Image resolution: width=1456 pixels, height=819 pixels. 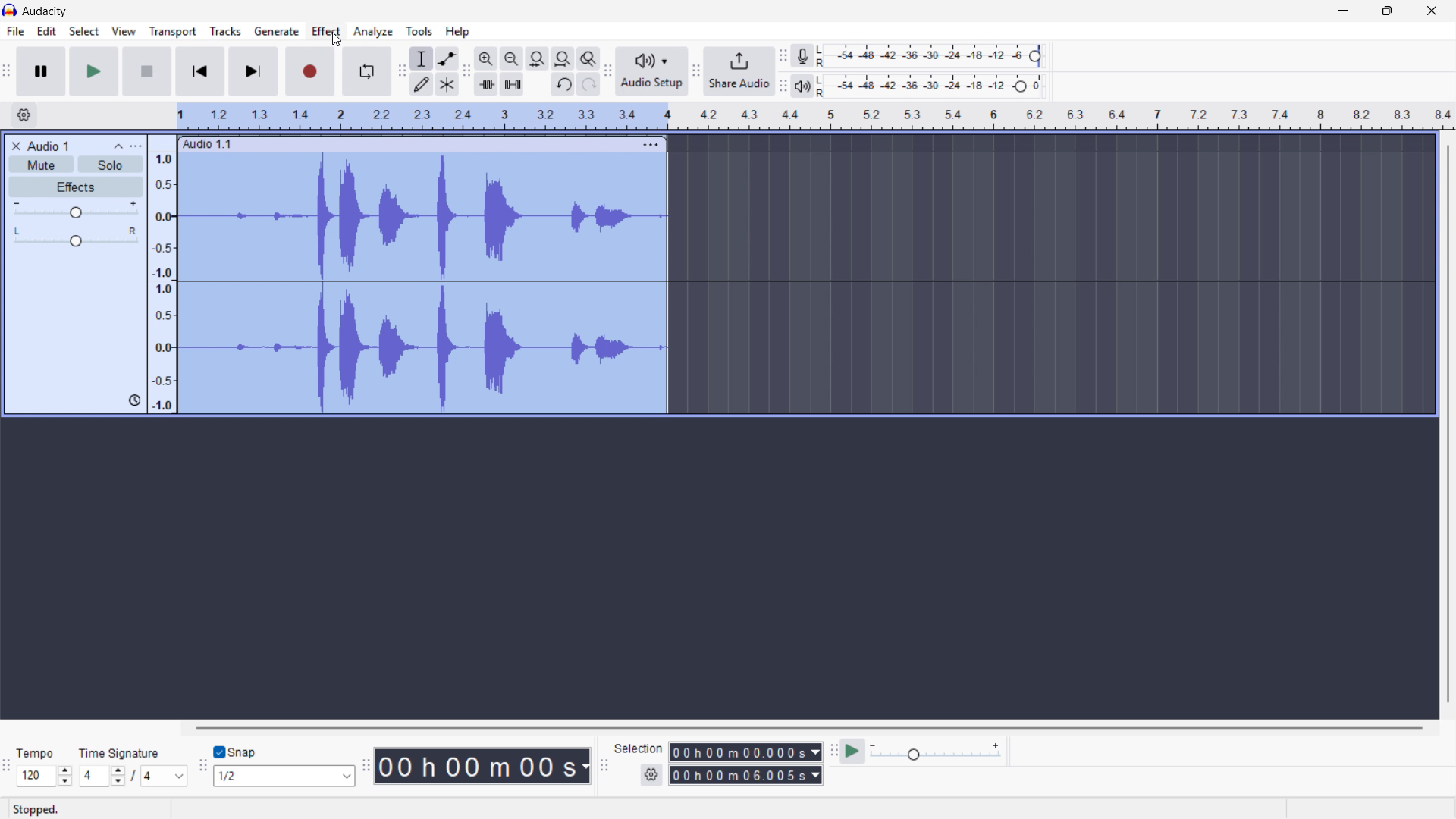 I want to click on Time signature toolbar, so click(x=8, y=768).